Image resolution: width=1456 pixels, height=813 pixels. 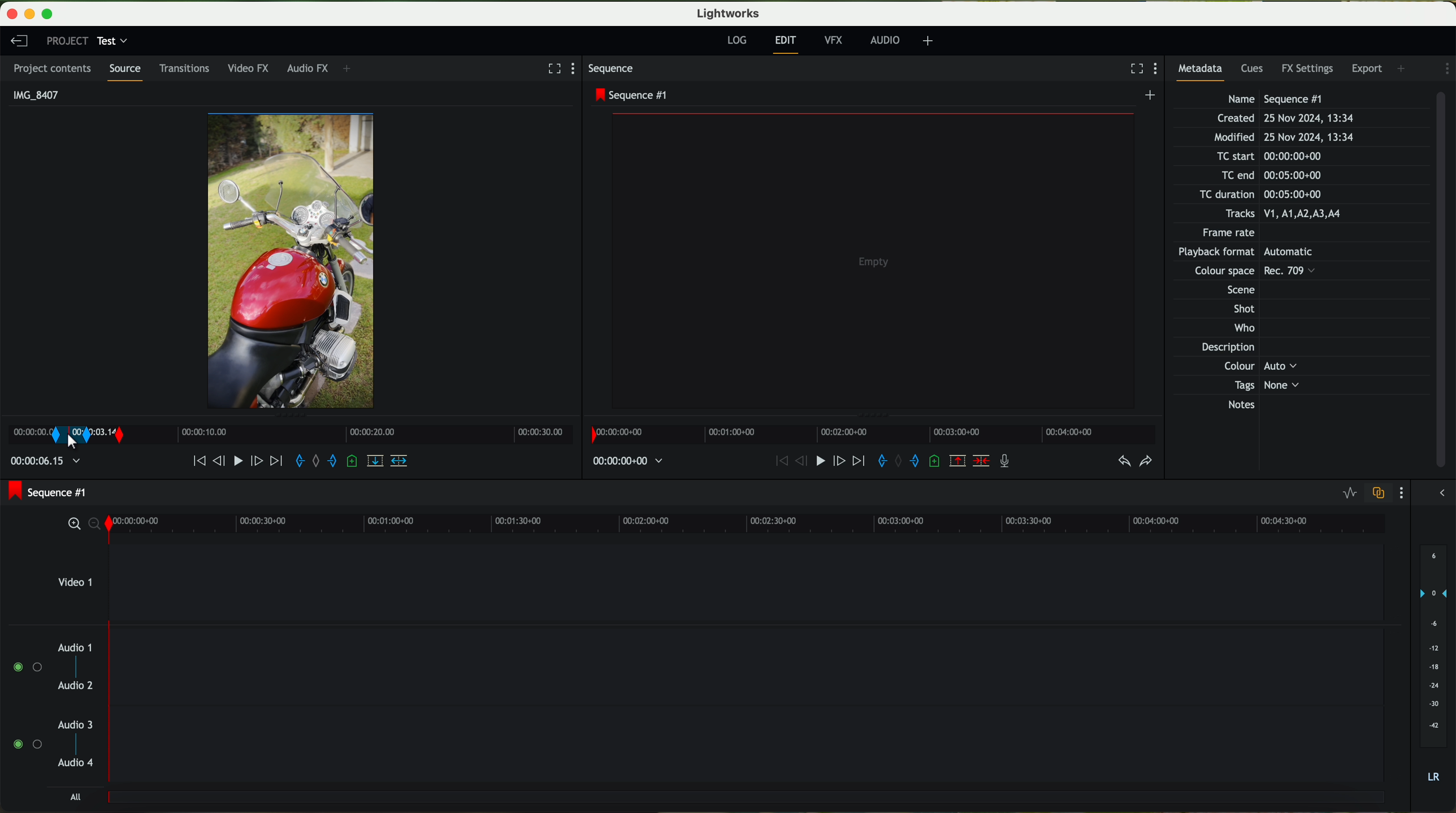 What do you see at coordinates (981, 461) in the screenshot?
I see `delete/cut` at bounding box center [981, 461].